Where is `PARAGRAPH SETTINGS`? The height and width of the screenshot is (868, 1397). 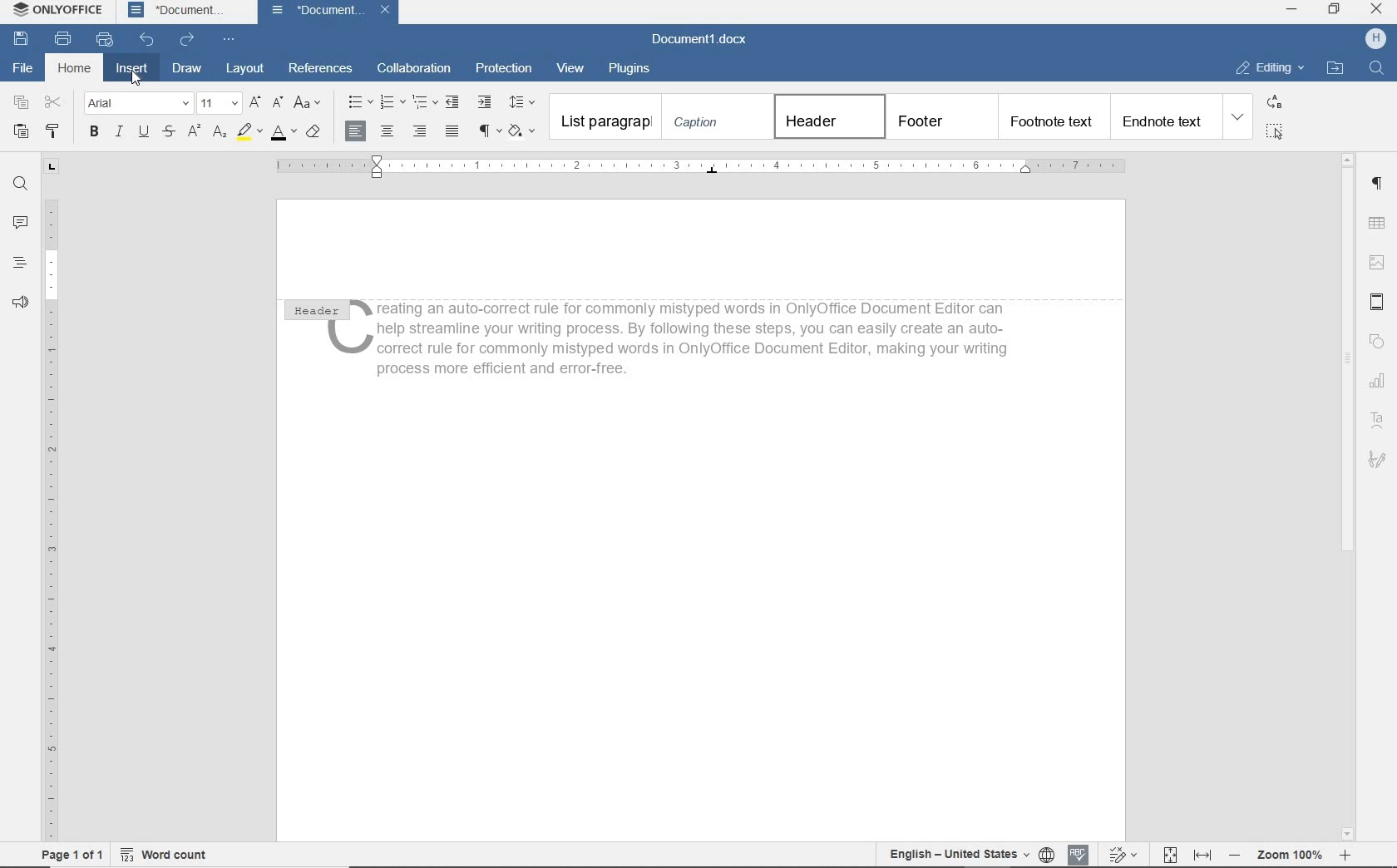 PARAGRAPH SETTINGS is located at coordinates (1376, 184).